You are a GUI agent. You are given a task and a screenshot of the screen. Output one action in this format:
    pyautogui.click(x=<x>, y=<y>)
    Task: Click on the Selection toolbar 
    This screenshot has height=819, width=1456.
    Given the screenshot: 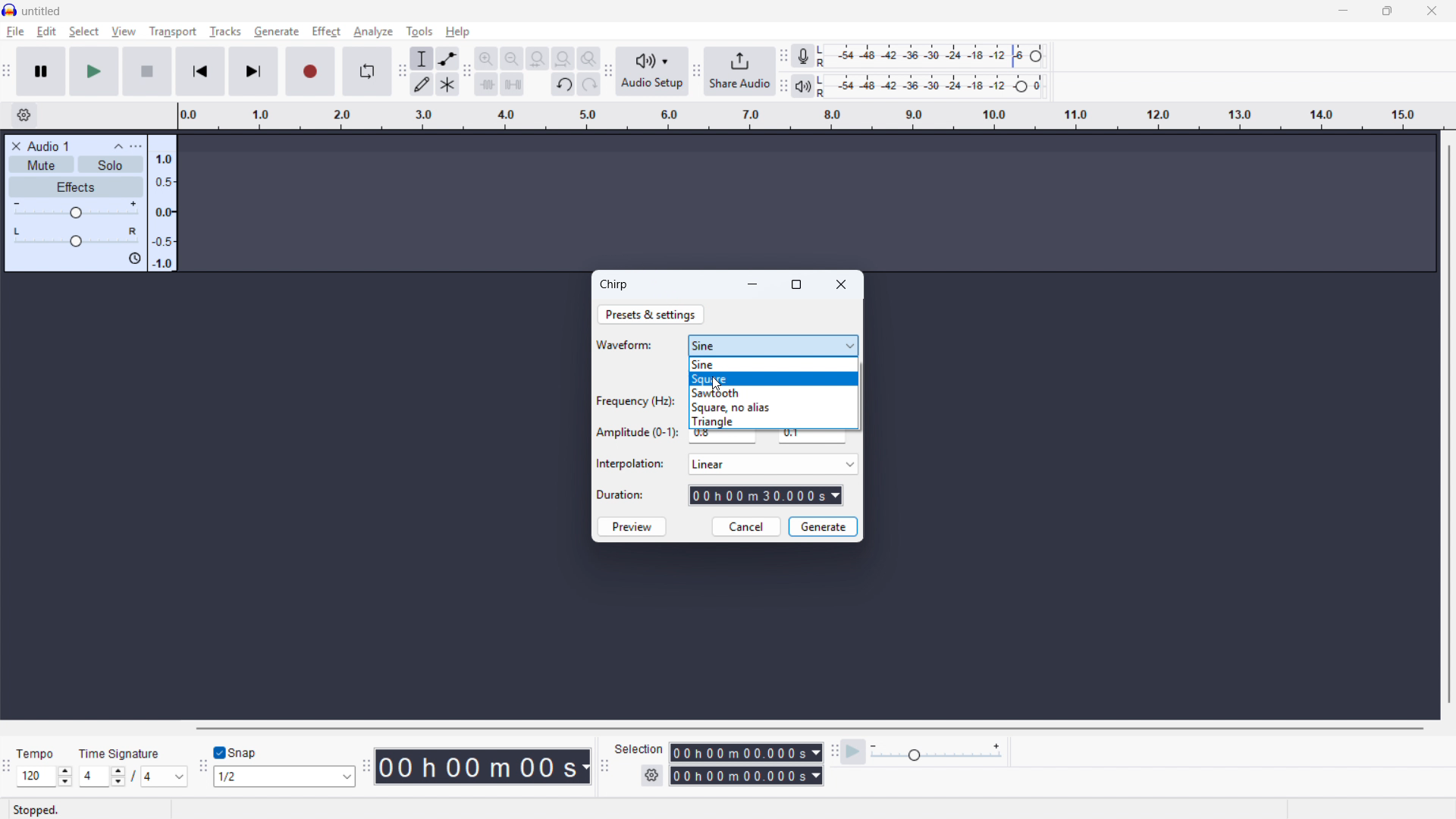 What is the action you would take?
    pyautogui.click(x=604, y=764)
    